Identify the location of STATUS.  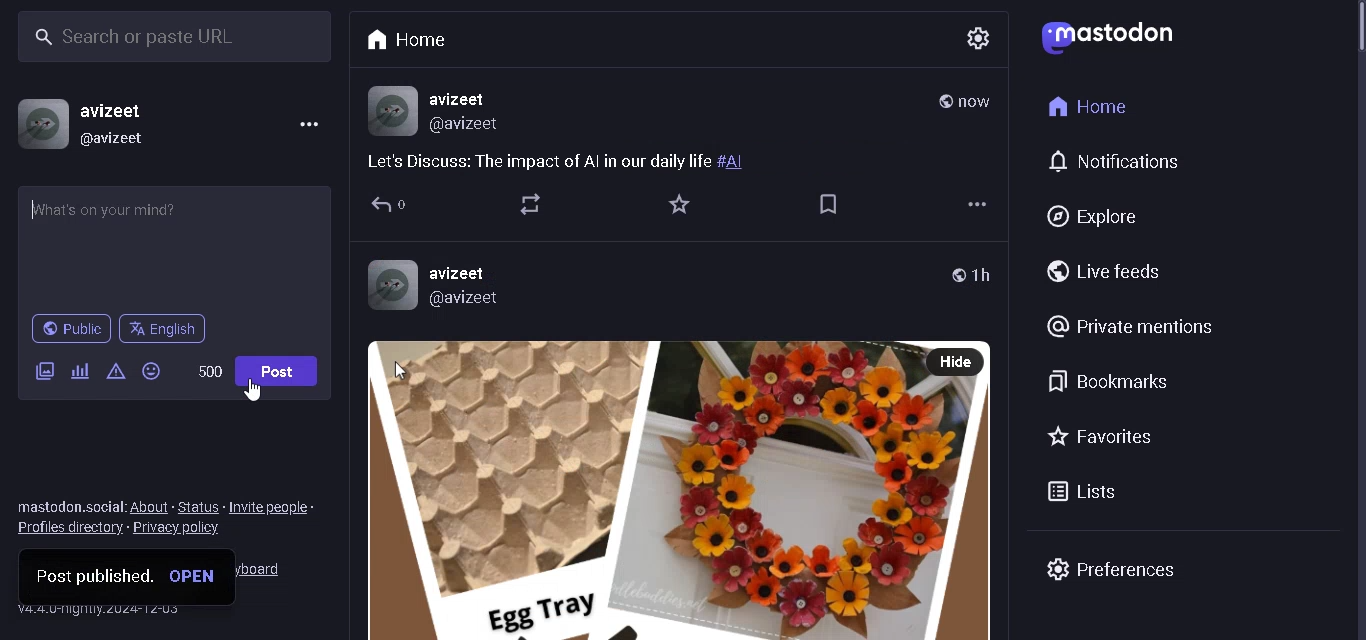
(199, 506).